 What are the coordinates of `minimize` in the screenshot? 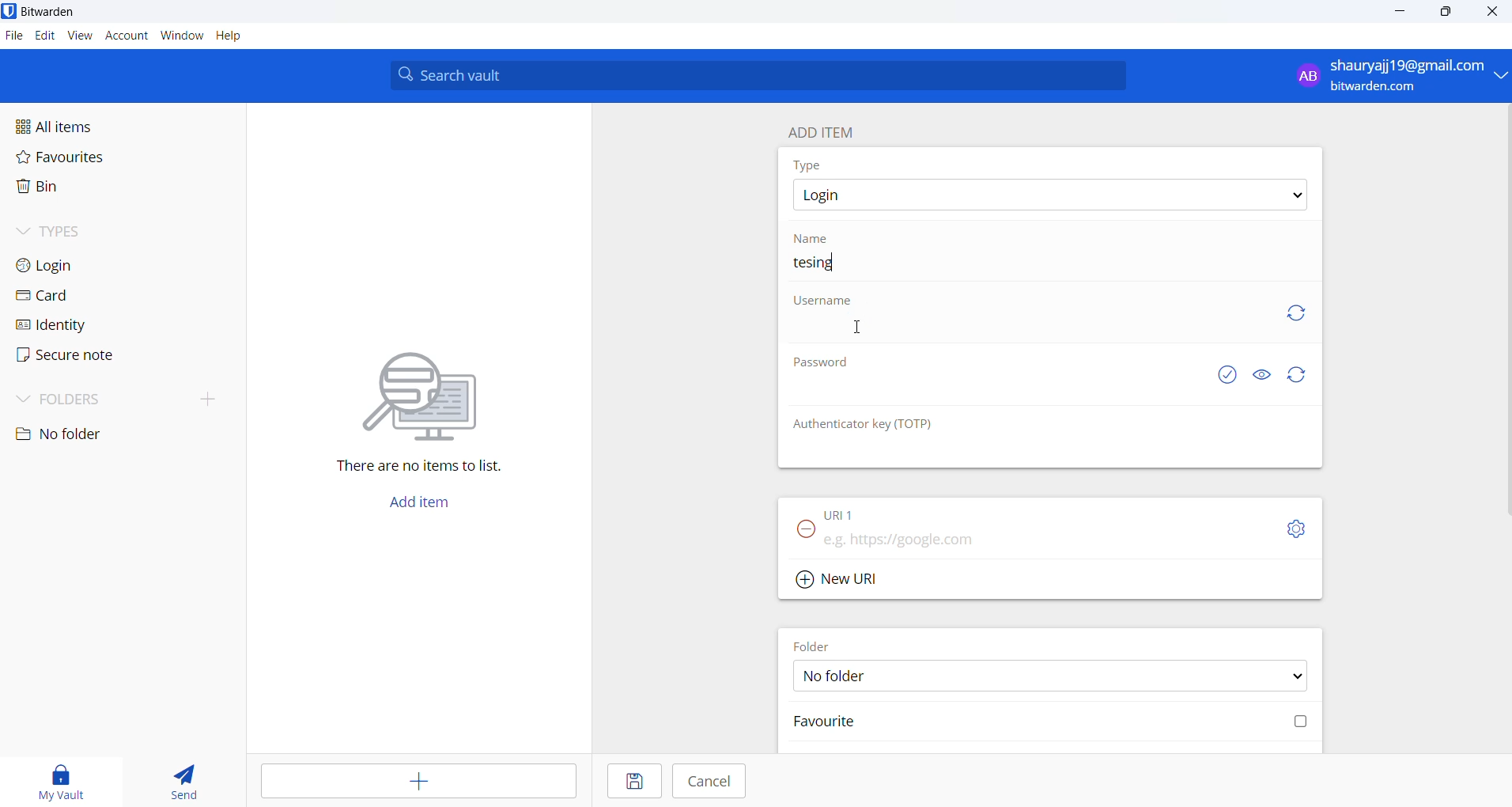 It's located at (1398, 16).